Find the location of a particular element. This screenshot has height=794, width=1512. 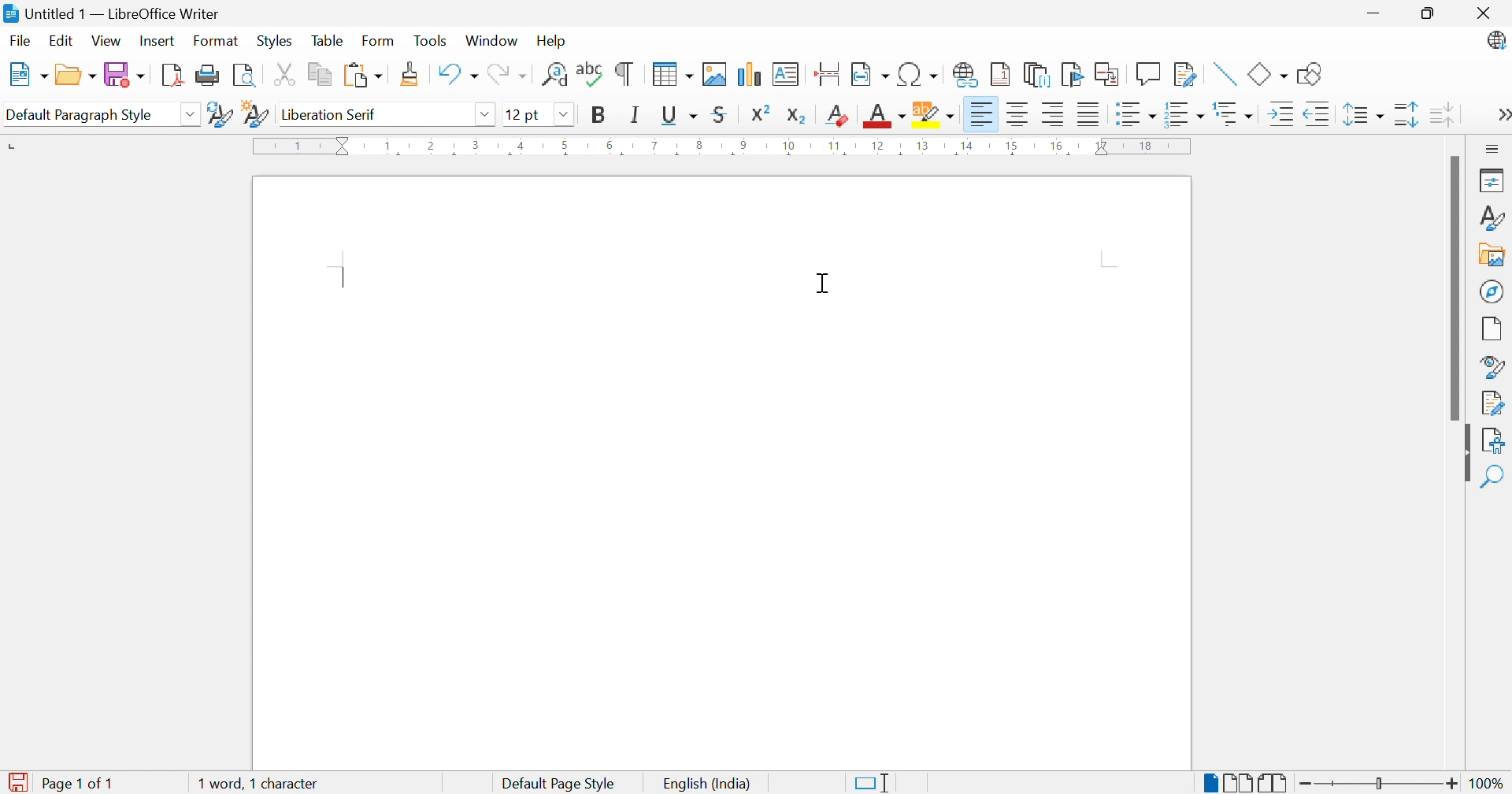

Drop Down is located at coordinates (563, 114).